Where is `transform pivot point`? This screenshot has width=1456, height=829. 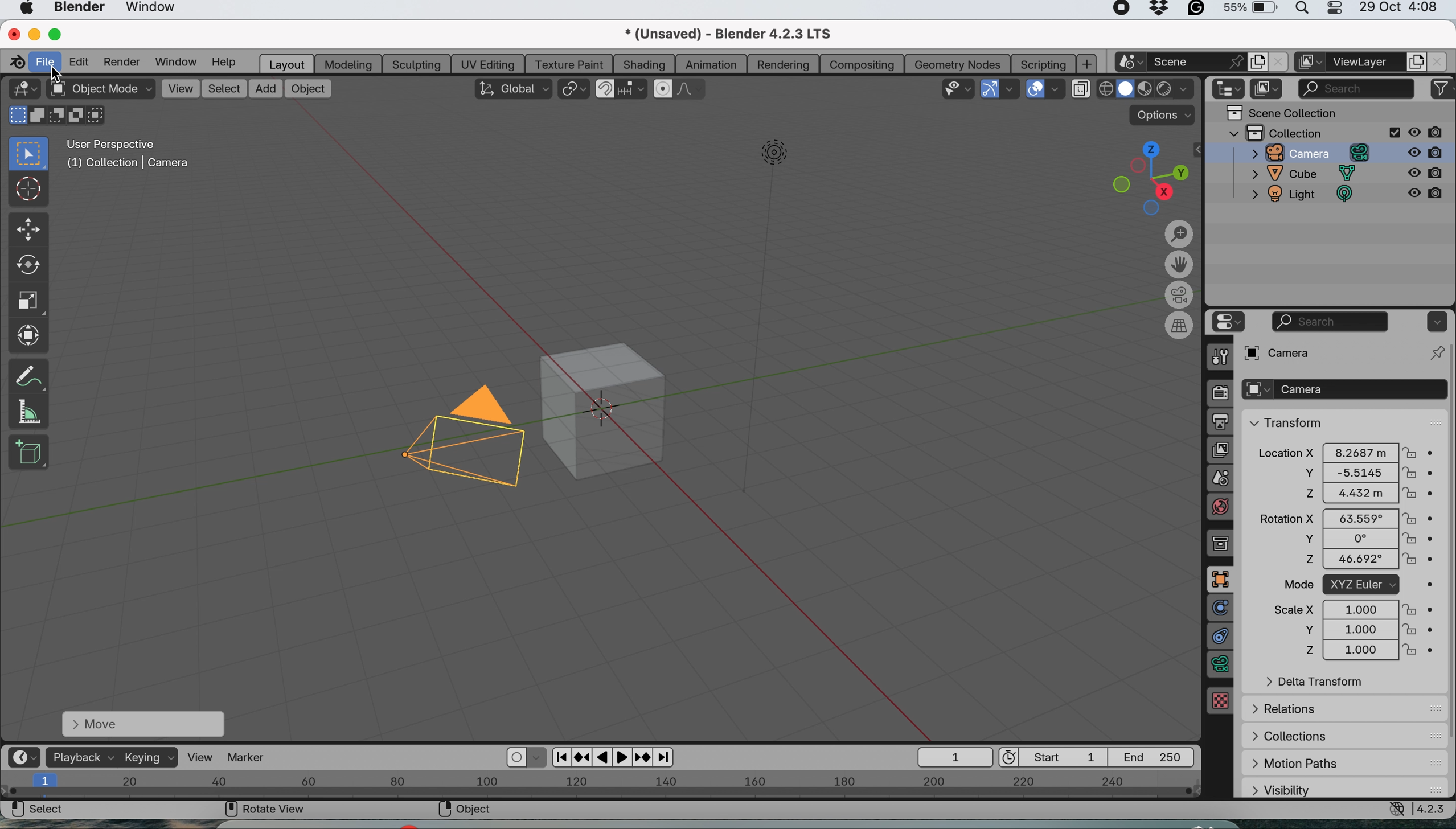
transform pivot point is located at coordinates (573, 91).